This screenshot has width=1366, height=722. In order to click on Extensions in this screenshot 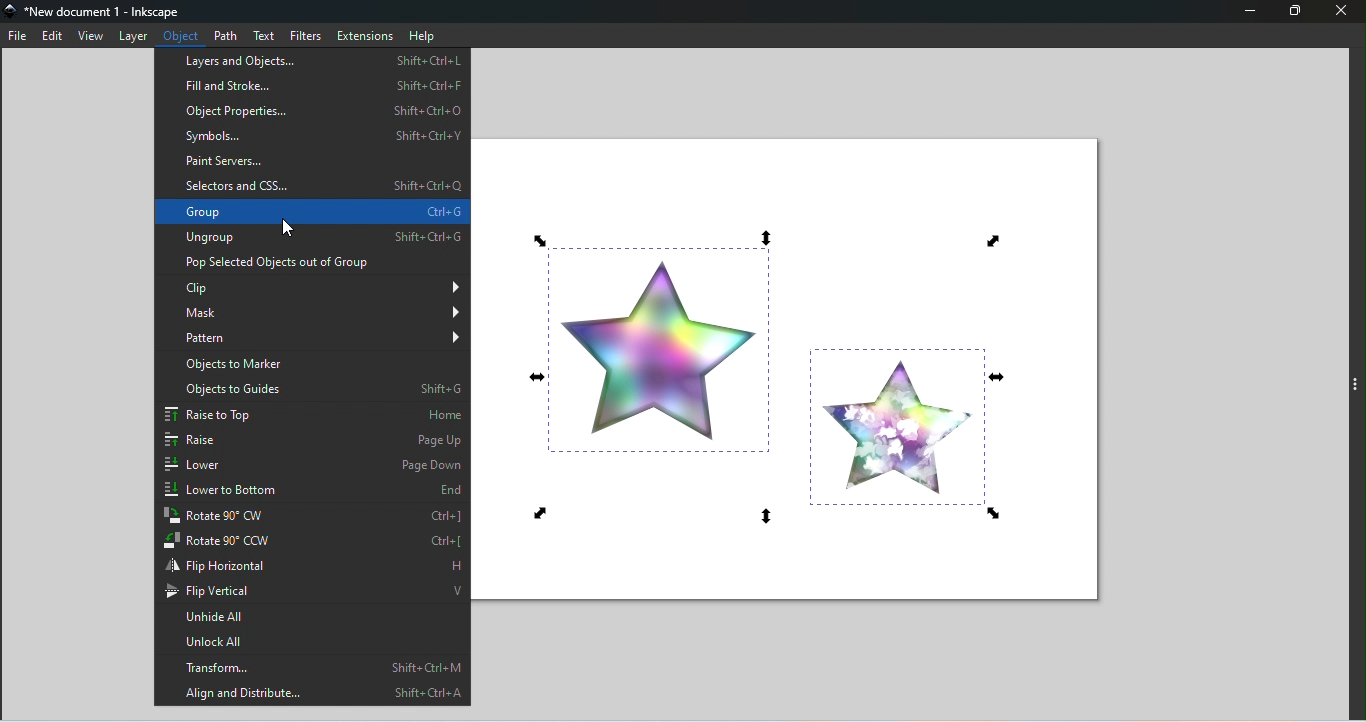, I will do `click(364, 35)`.